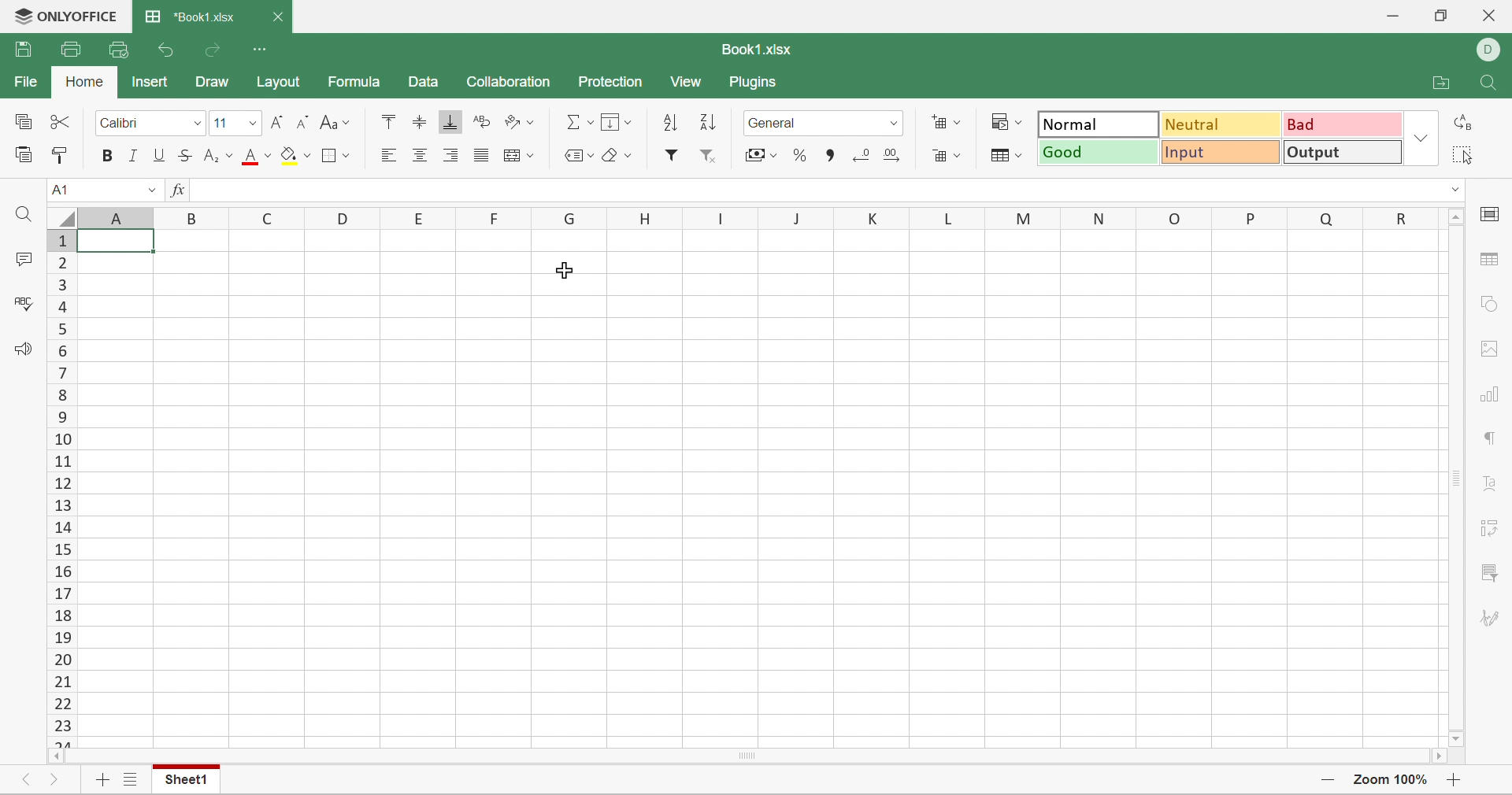  I want to click on Increase decimal, so click(891, 154).